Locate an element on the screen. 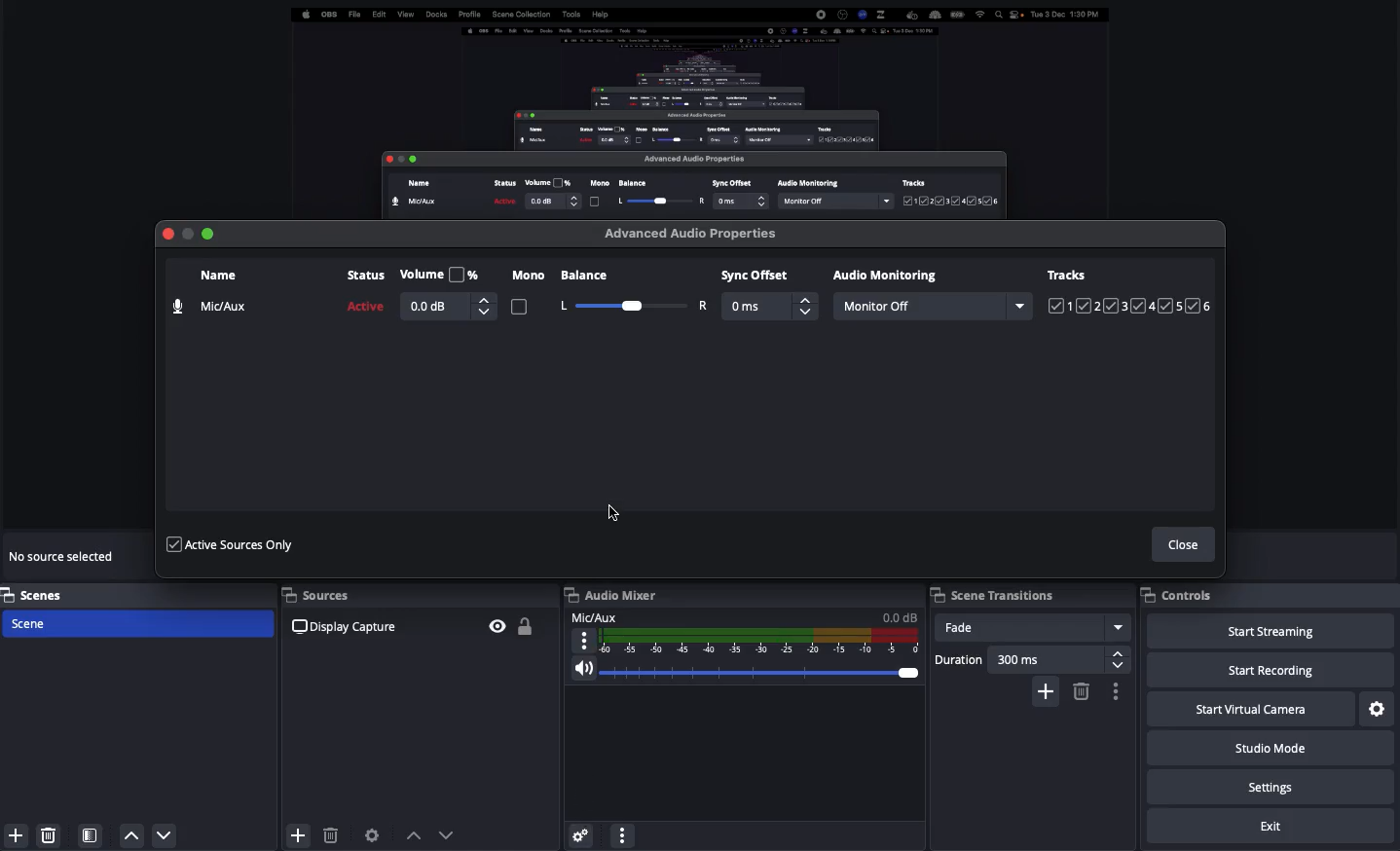  move down is located at coordinates (453, 837).